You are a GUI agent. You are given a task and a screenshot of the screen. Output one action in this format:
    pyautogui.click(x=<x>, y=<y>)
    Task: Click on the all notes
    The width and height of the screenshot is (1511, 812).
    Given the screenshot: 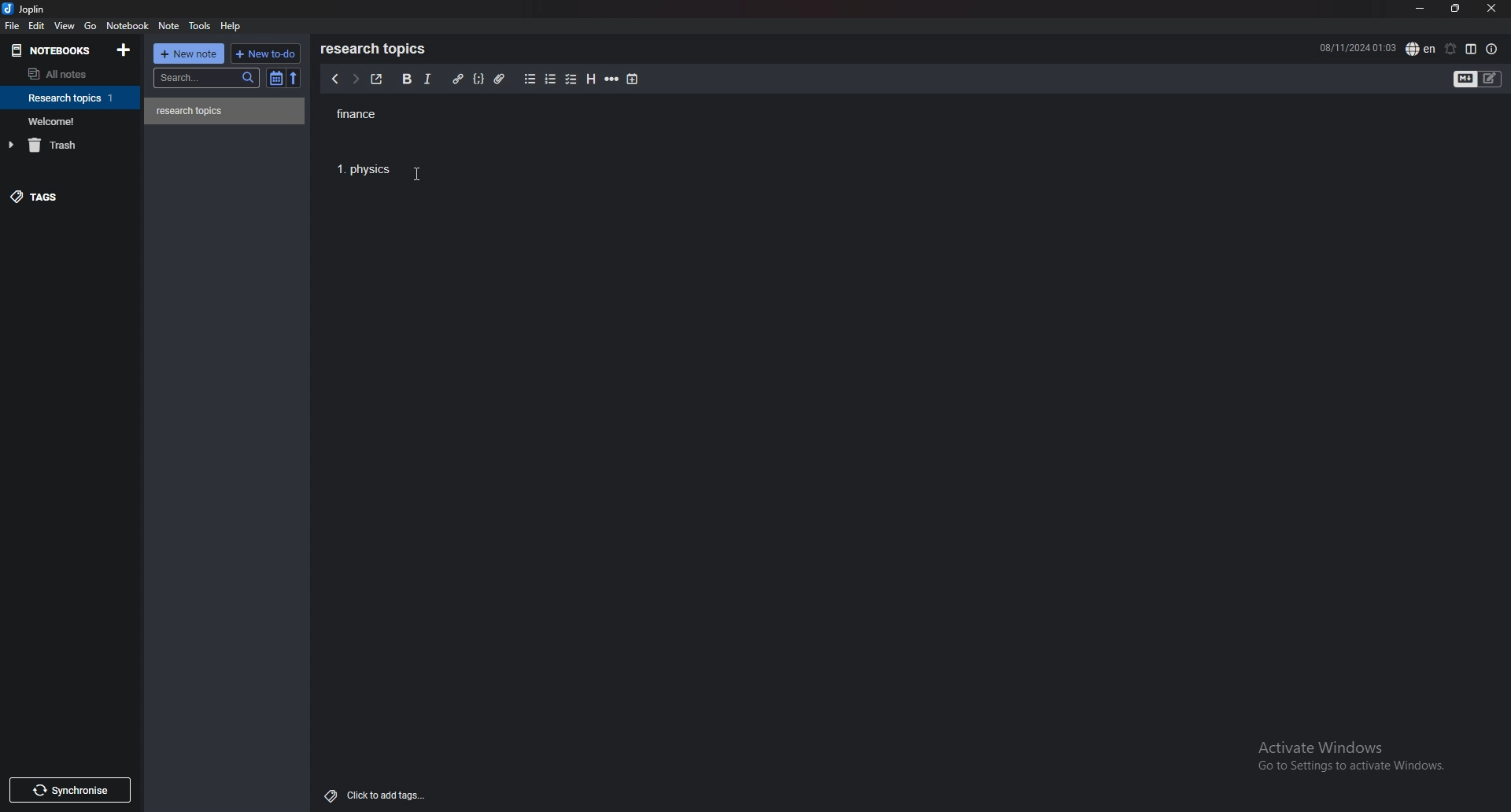 What is the action you would take?
    pyautogui.click(x=65, y=75)
    